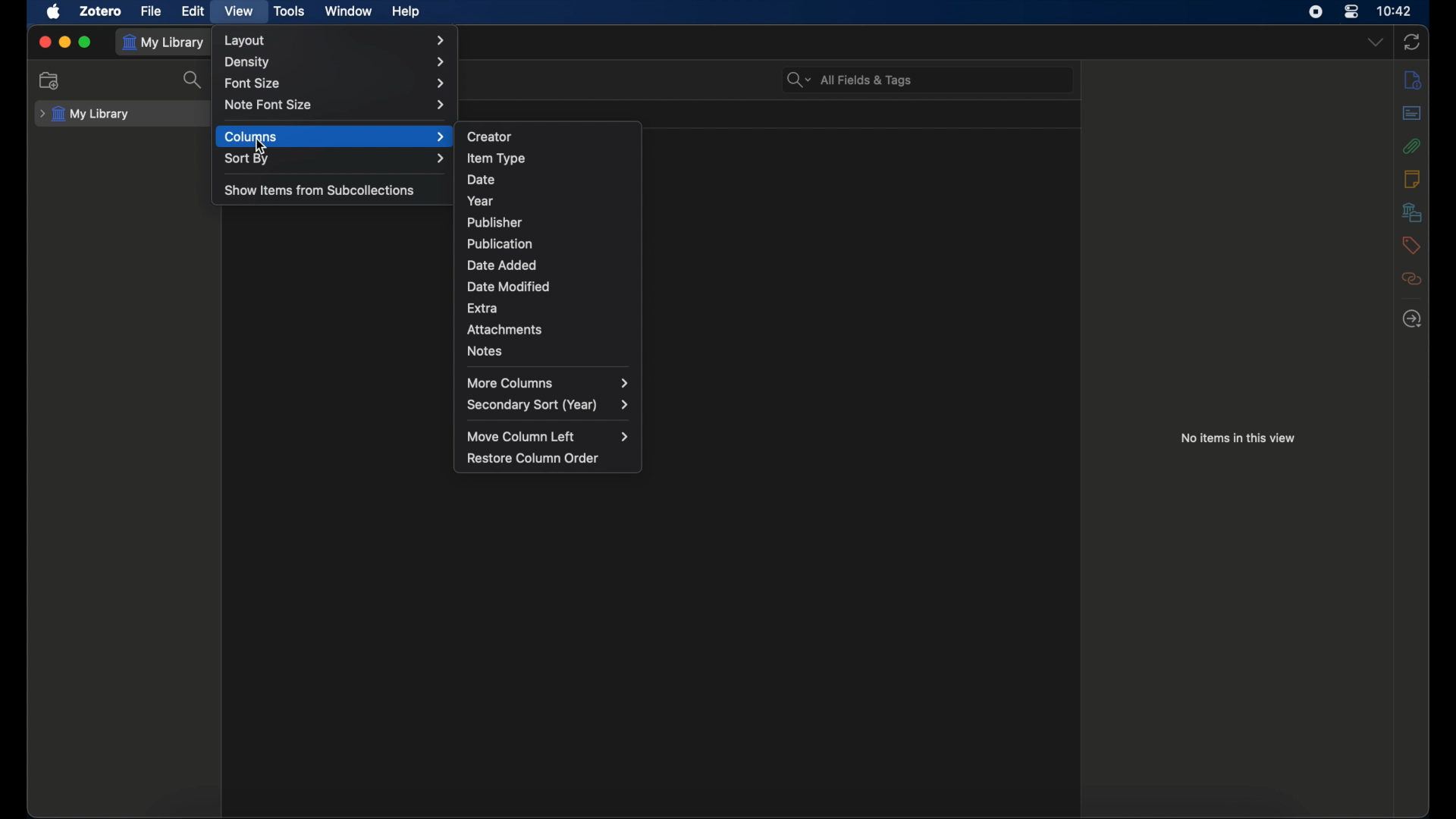 The width and height of the screenshot is (1456, 819). I want to click on no items in this view, so click(1238, 438).